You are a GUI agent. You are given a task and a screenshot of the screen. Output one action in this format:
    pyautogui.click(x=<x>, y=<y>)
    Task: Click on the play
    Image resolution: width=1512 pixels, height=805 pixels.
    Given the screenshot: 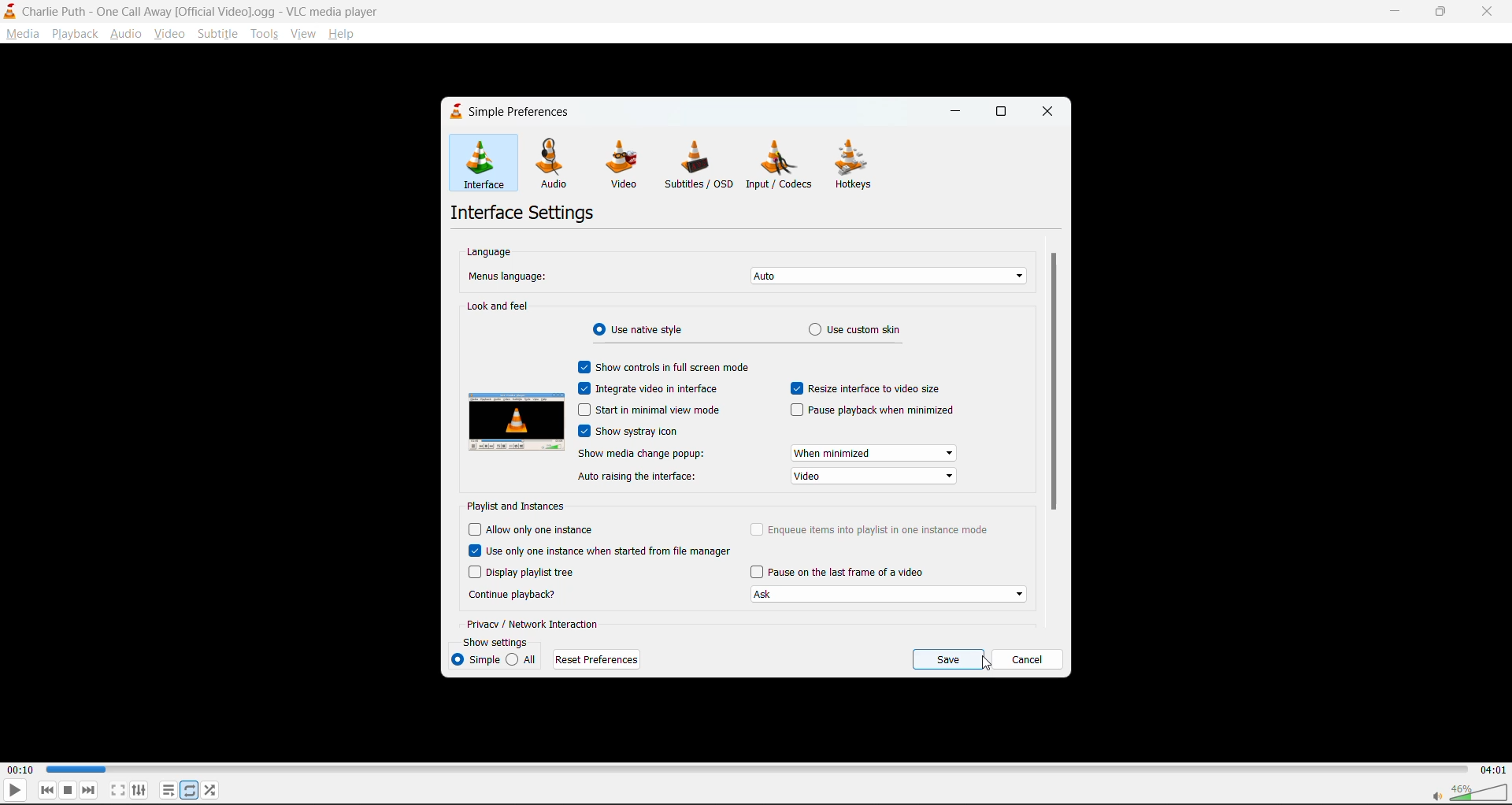 What is the action you would take?
    pyautogui.click(x=15, y=792)
    